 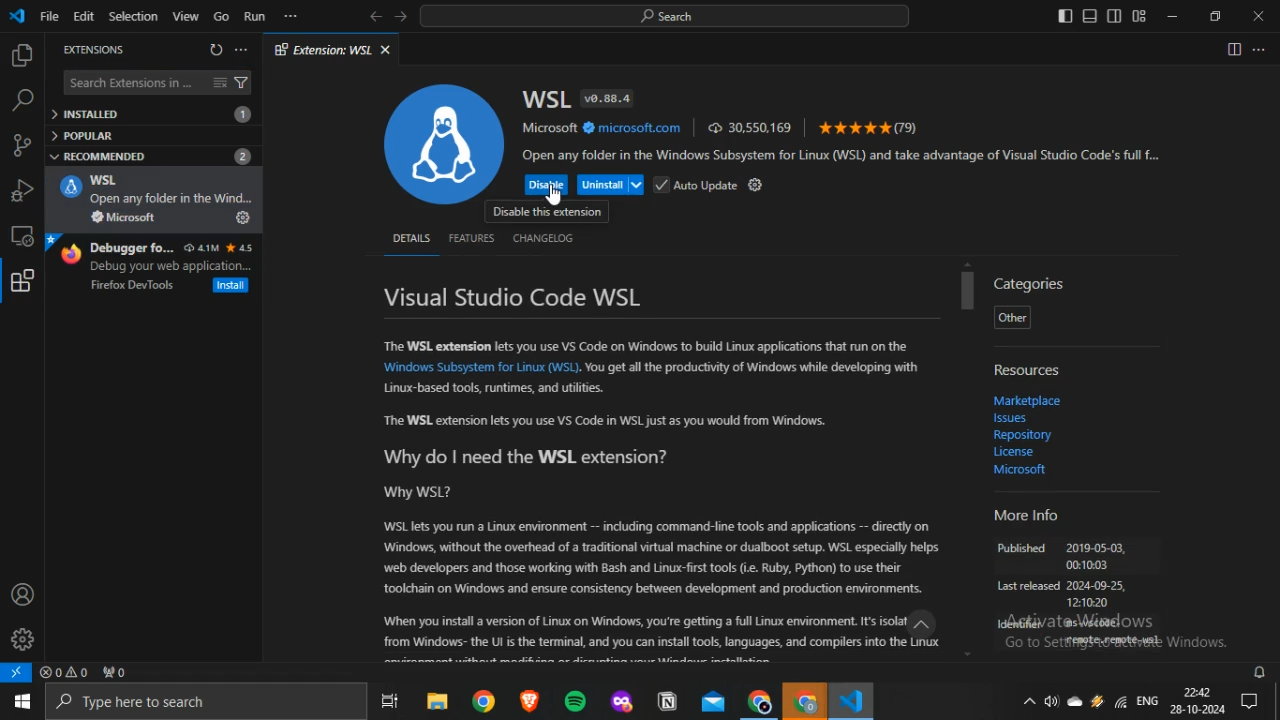 I want to click on clear, so click(x=219, y=82).